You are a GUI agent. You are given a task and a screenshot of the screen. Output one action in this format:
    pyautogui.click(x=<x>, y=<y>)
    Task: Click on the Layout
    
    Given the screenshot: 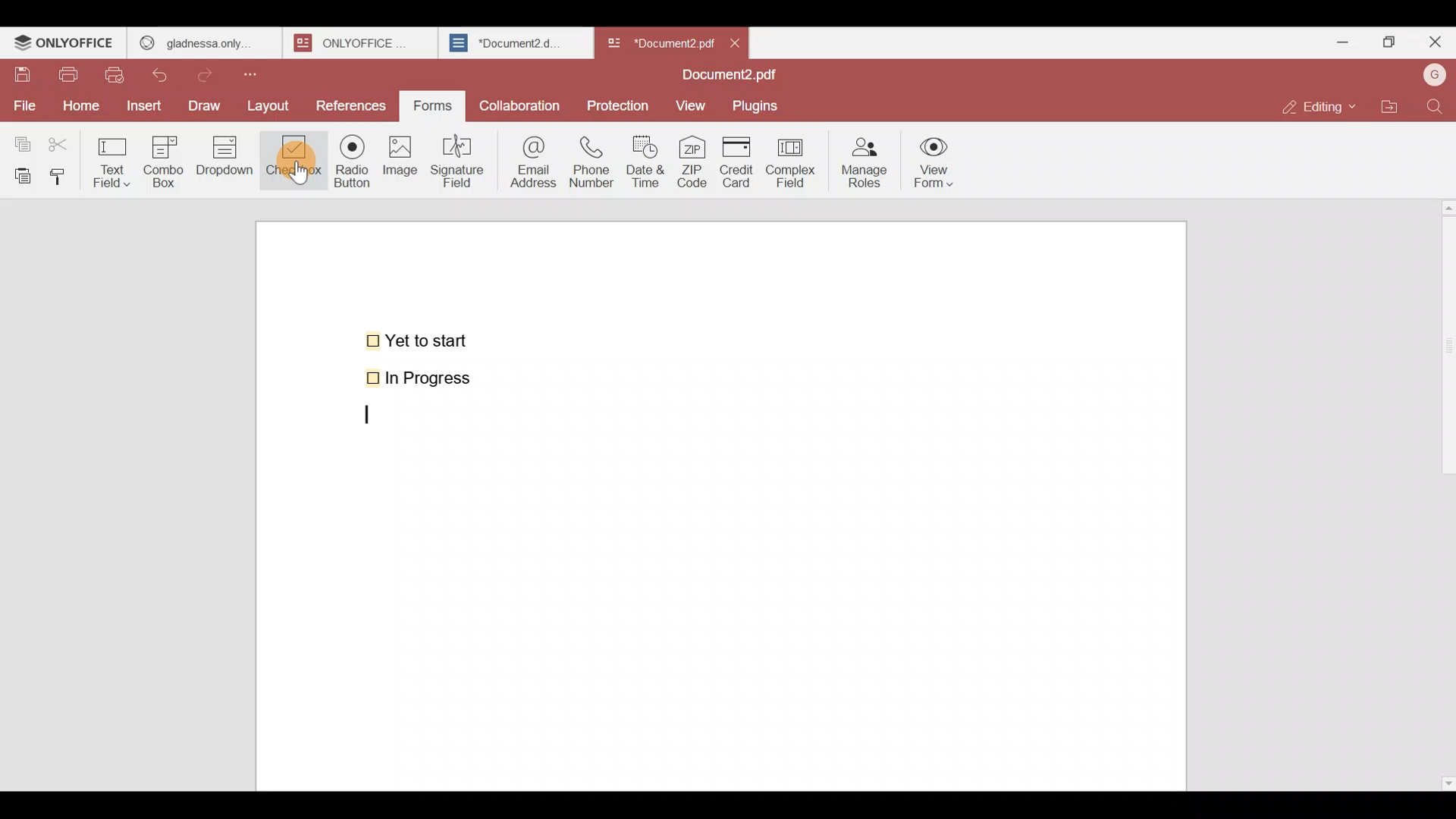 What is the action you would take?
    pyautogui.click(x=275, y=104)
    